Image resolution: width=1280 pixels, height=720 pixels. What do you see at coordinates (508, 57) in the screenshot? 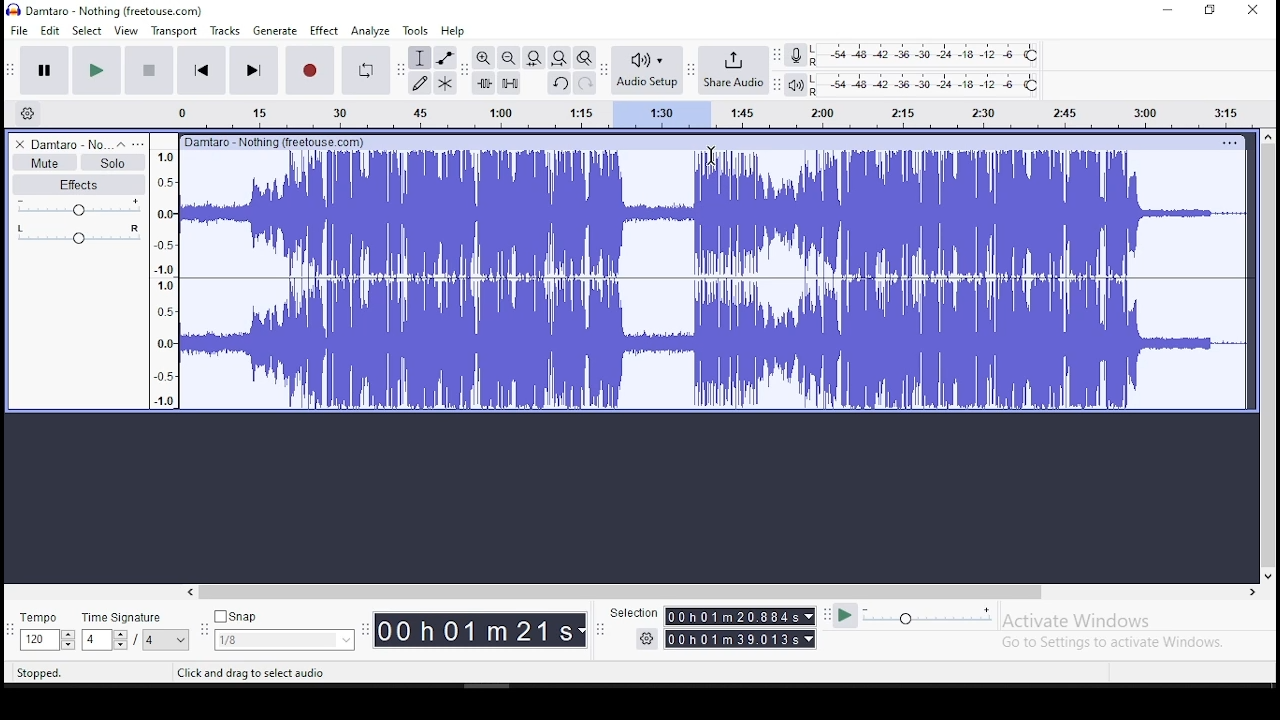
I see `zoom out` at bounding box center [508, 57].